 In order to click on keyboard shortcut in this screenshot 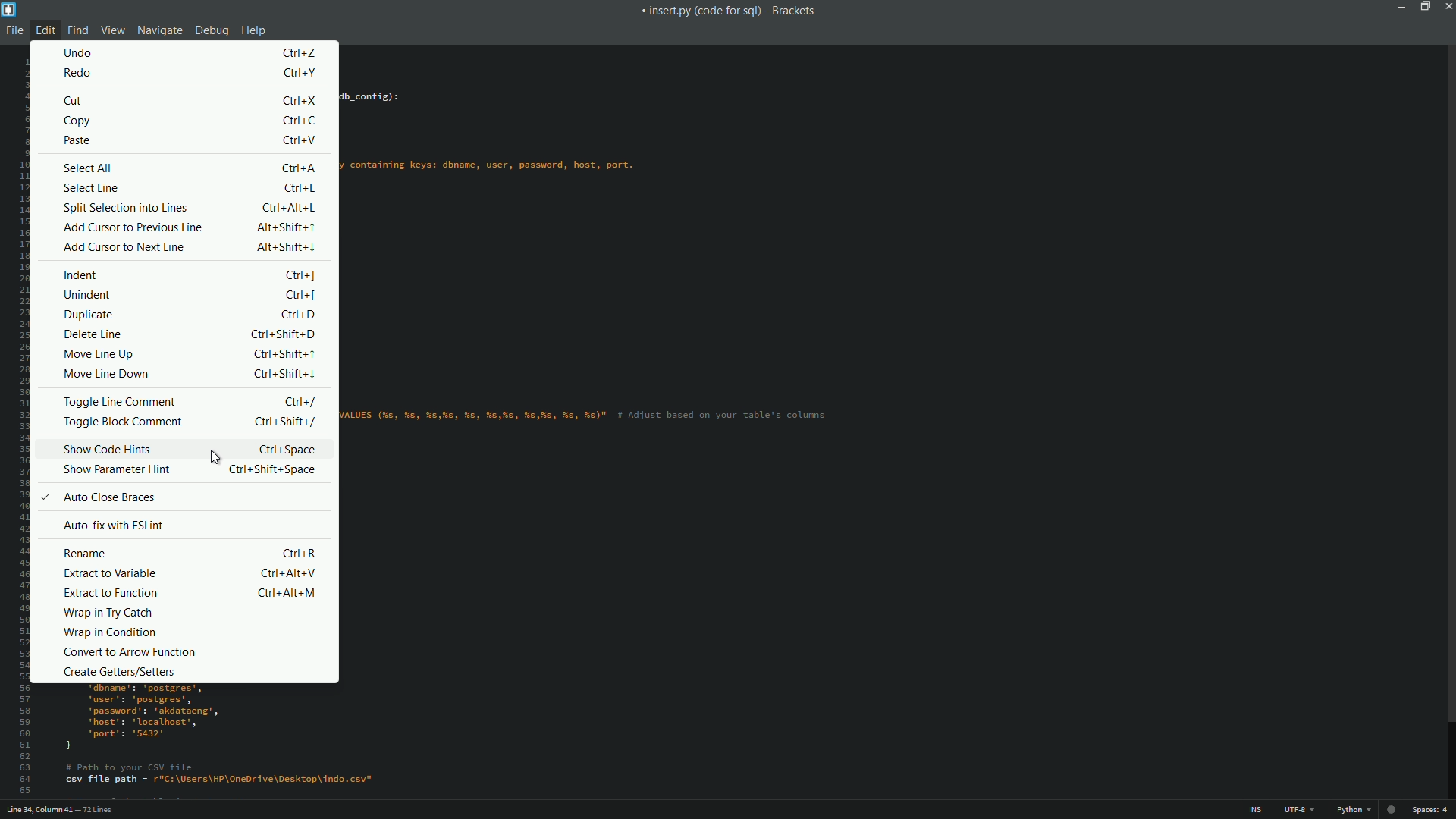, I will do `click(302, 552)`.